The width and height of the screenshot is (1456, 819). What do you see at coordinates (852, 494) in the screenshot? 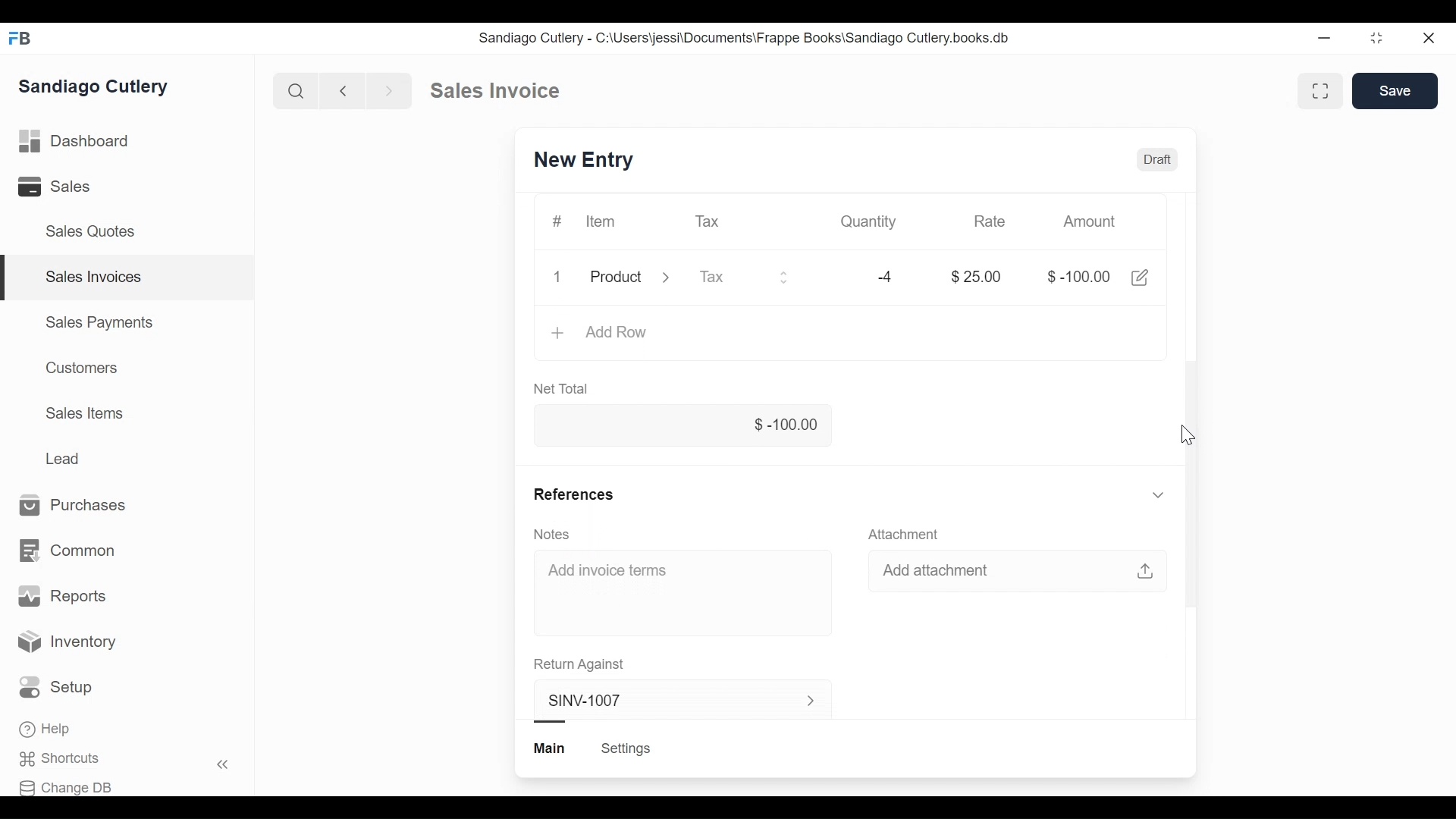
I see `References` at bounding box center [852, 494].